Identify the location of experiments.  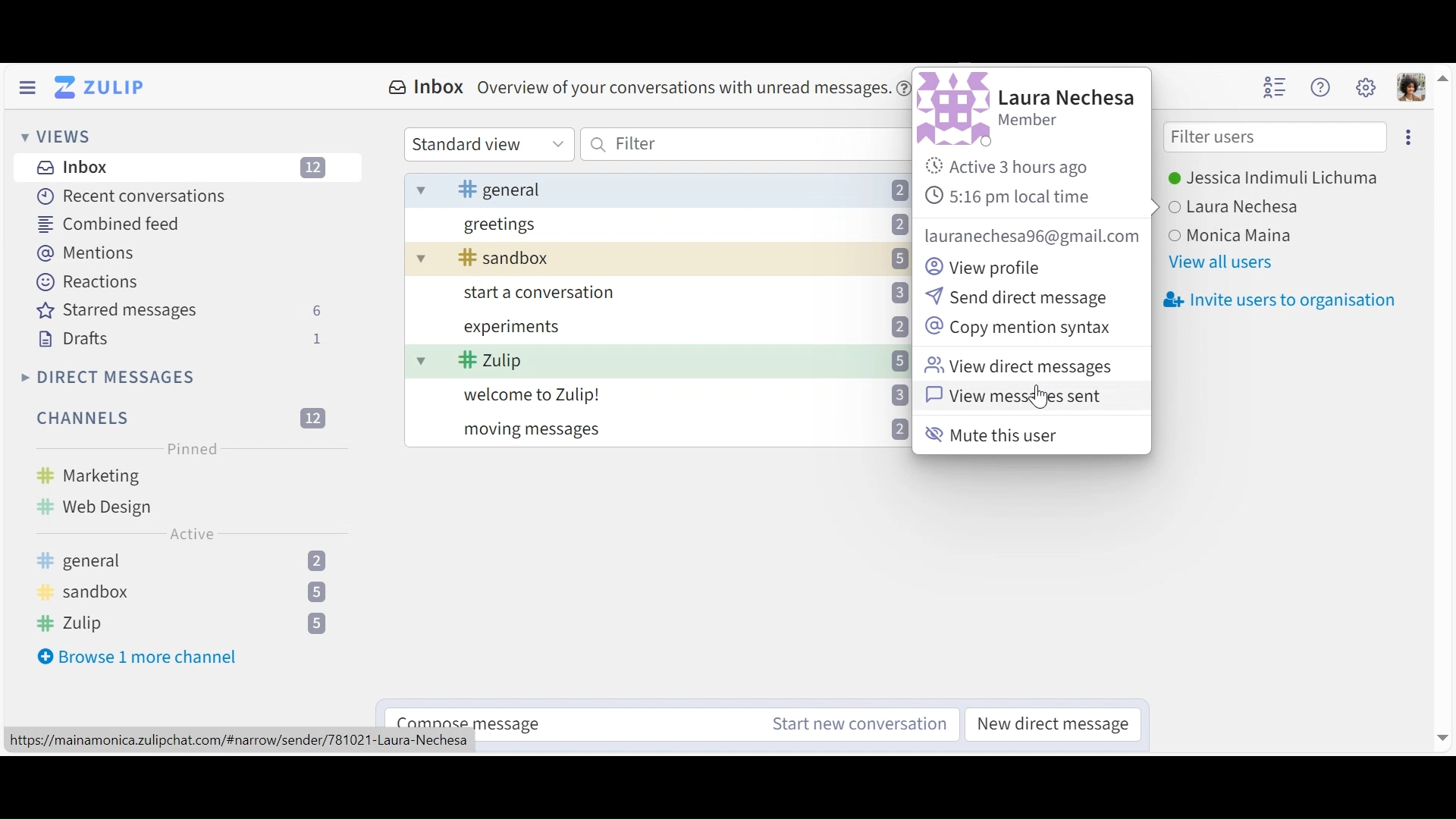
(676, 330).